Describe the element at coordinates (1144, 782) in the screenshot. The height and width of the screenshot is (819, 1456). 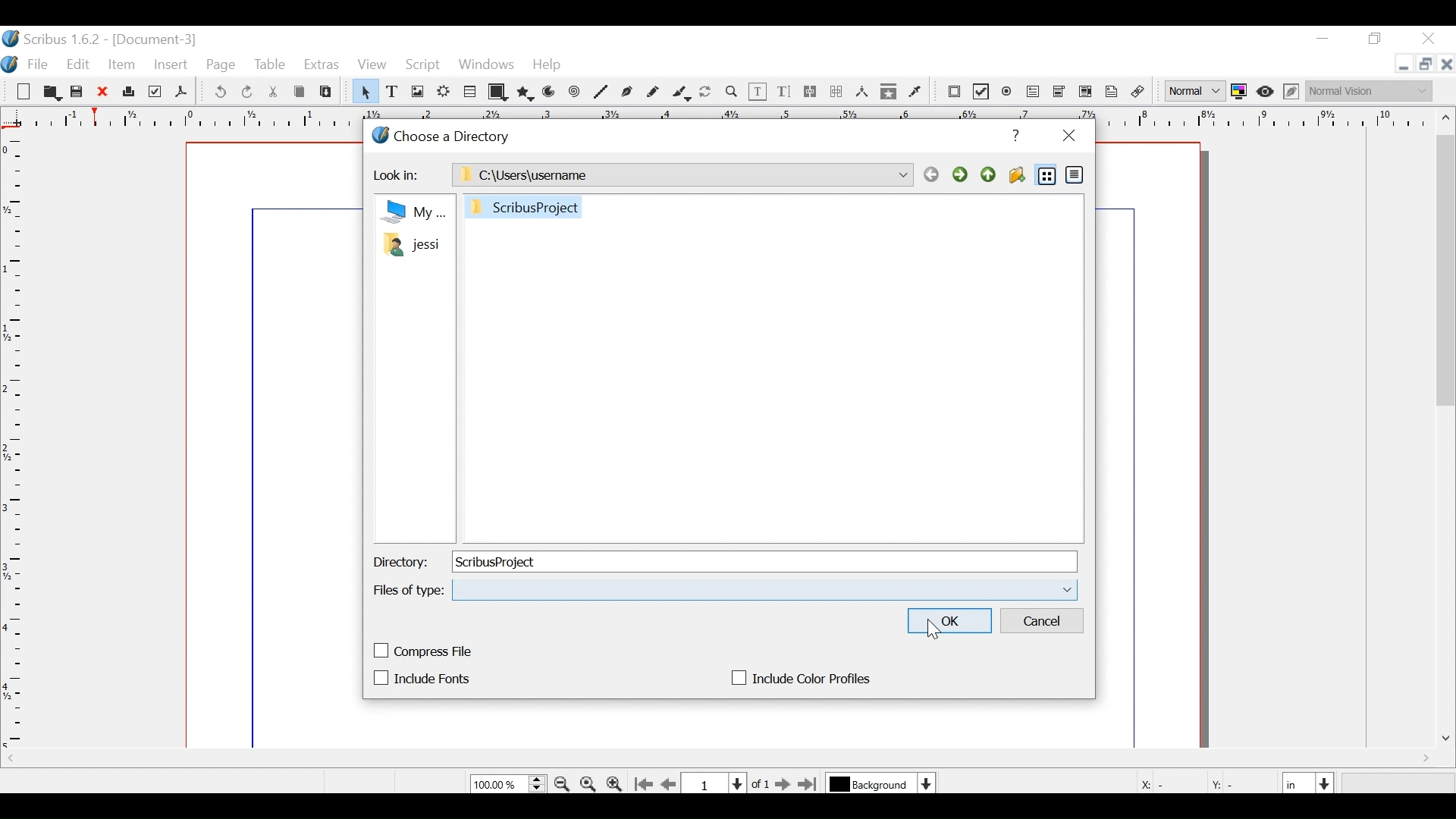
I see `X:` at that location.